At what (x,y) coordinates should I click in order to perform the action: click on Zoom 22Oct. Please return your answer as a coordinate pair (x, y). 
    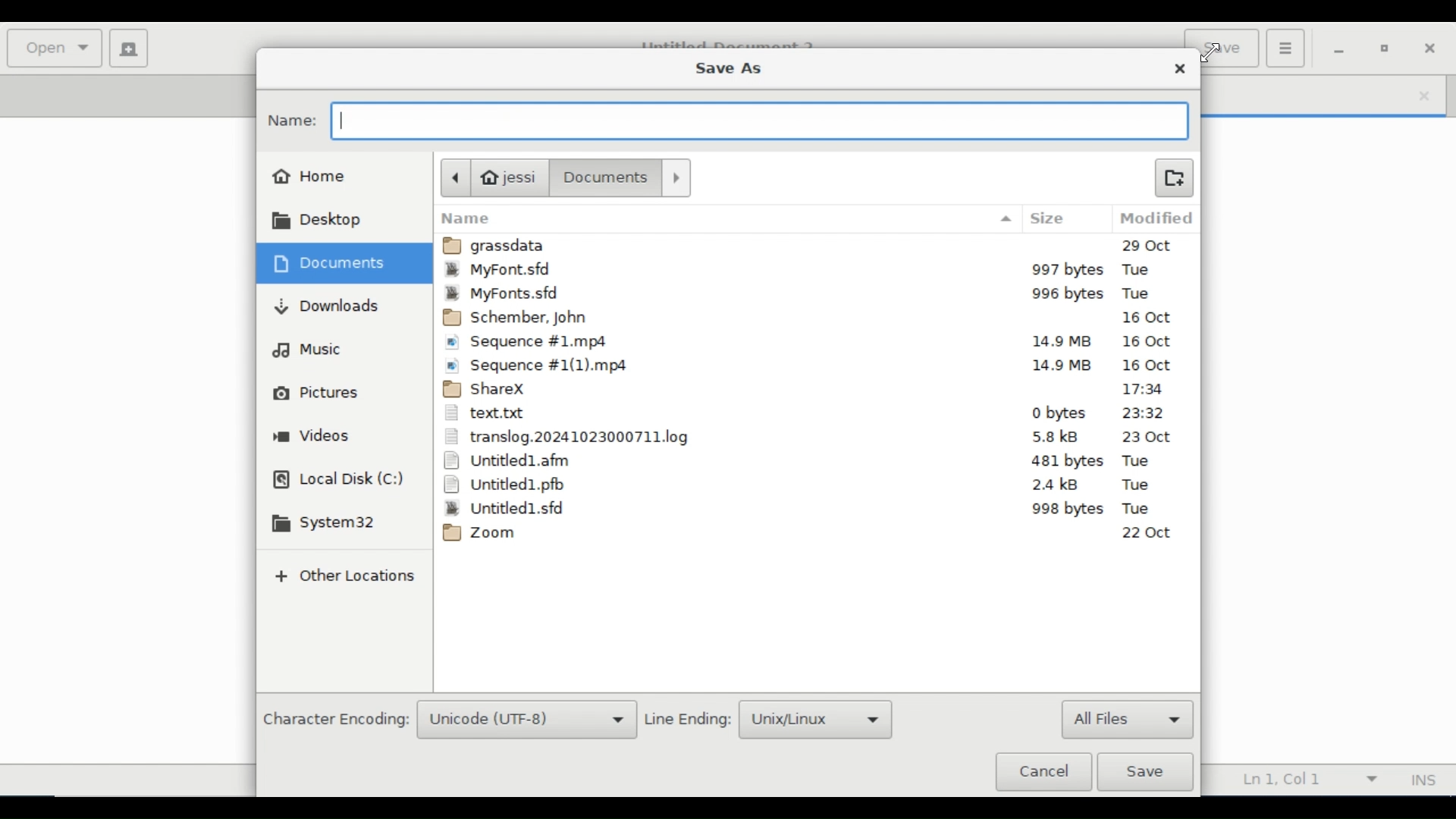
    Looking at the image, I should click on (810, 533).